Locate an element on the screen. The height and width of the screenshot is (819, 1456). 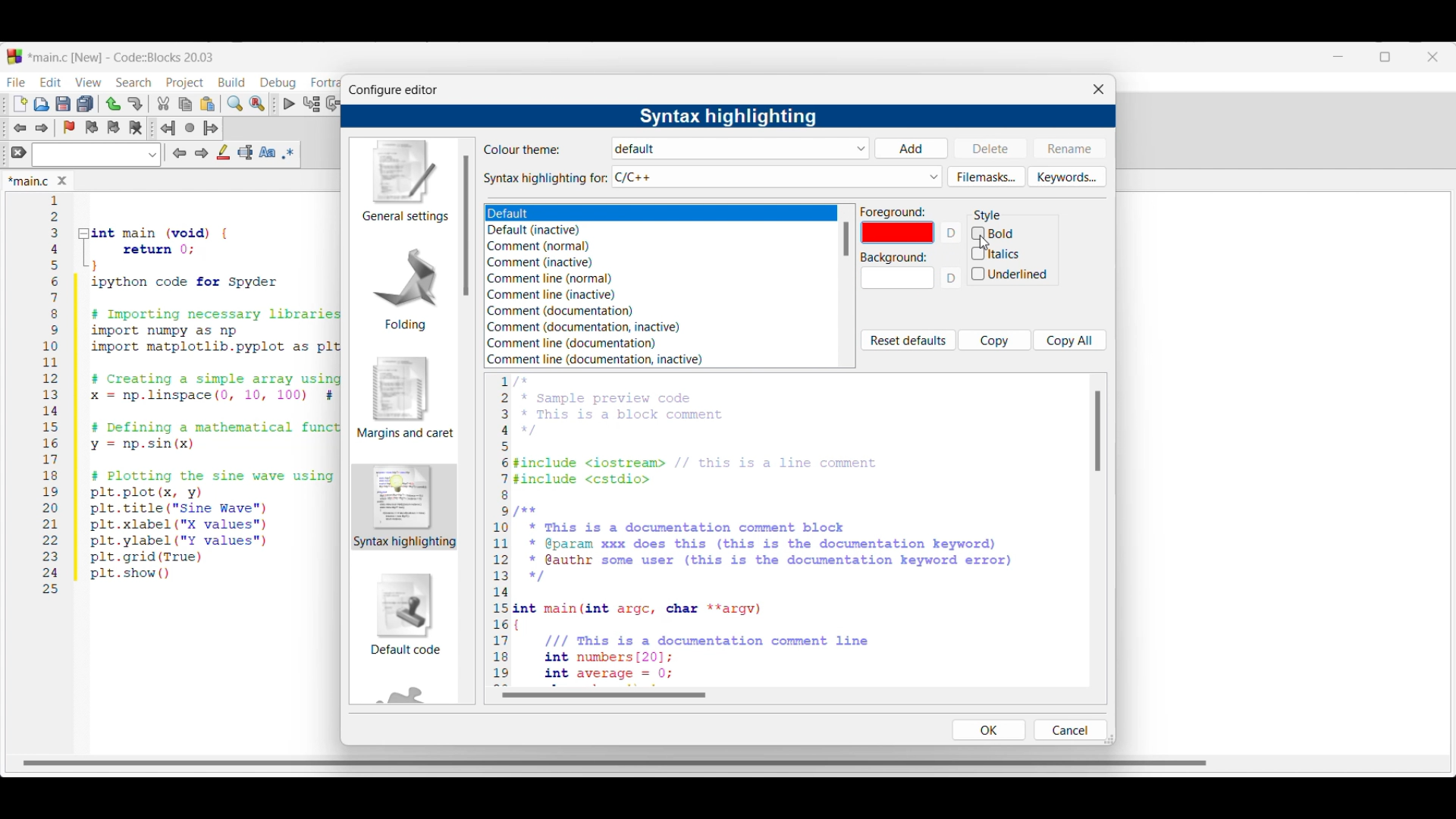
Settings title changed is located at coordinates (727, 117).